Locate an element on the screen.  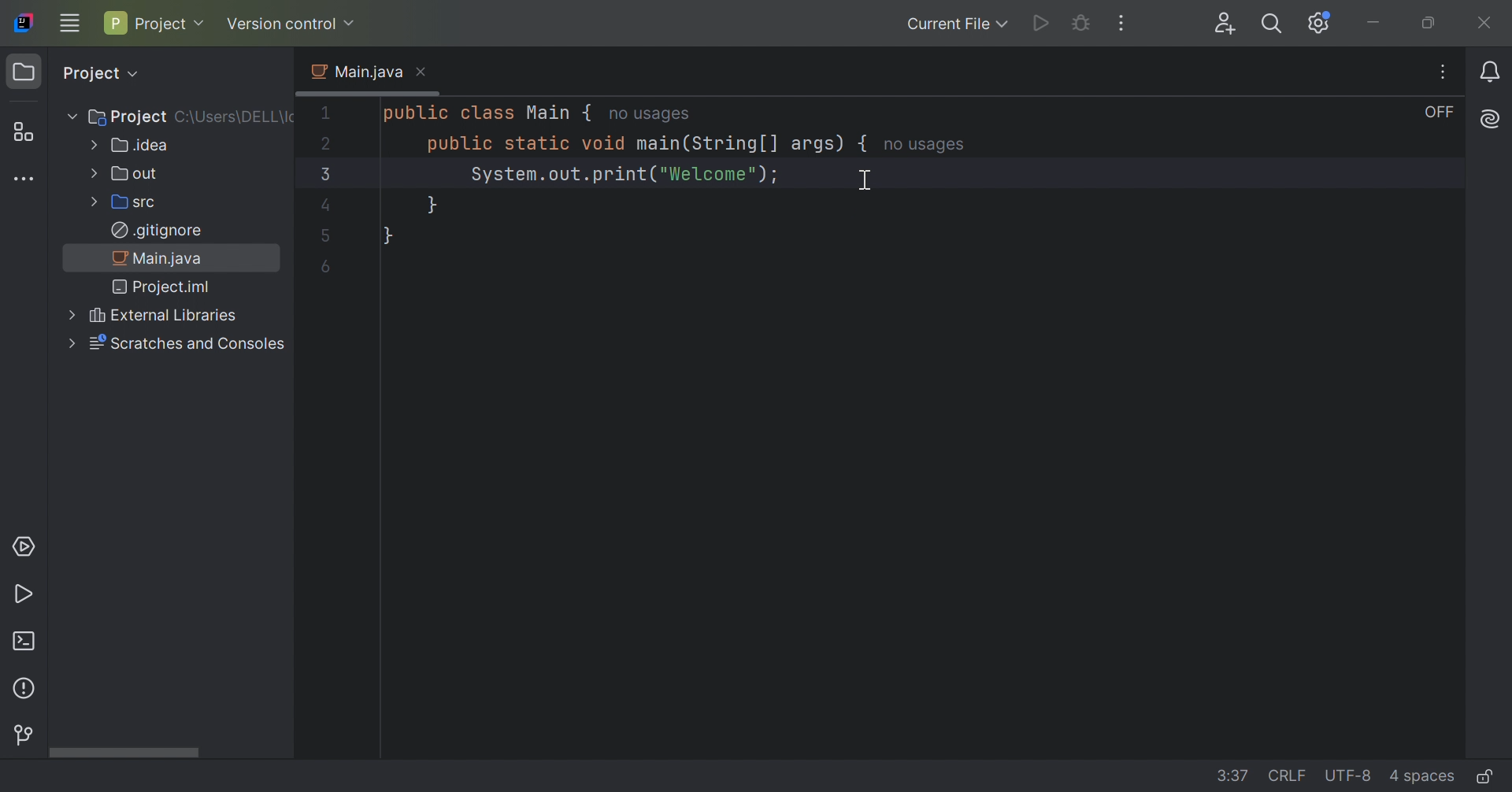
4 spaces is located at coordinates (1421, 779).